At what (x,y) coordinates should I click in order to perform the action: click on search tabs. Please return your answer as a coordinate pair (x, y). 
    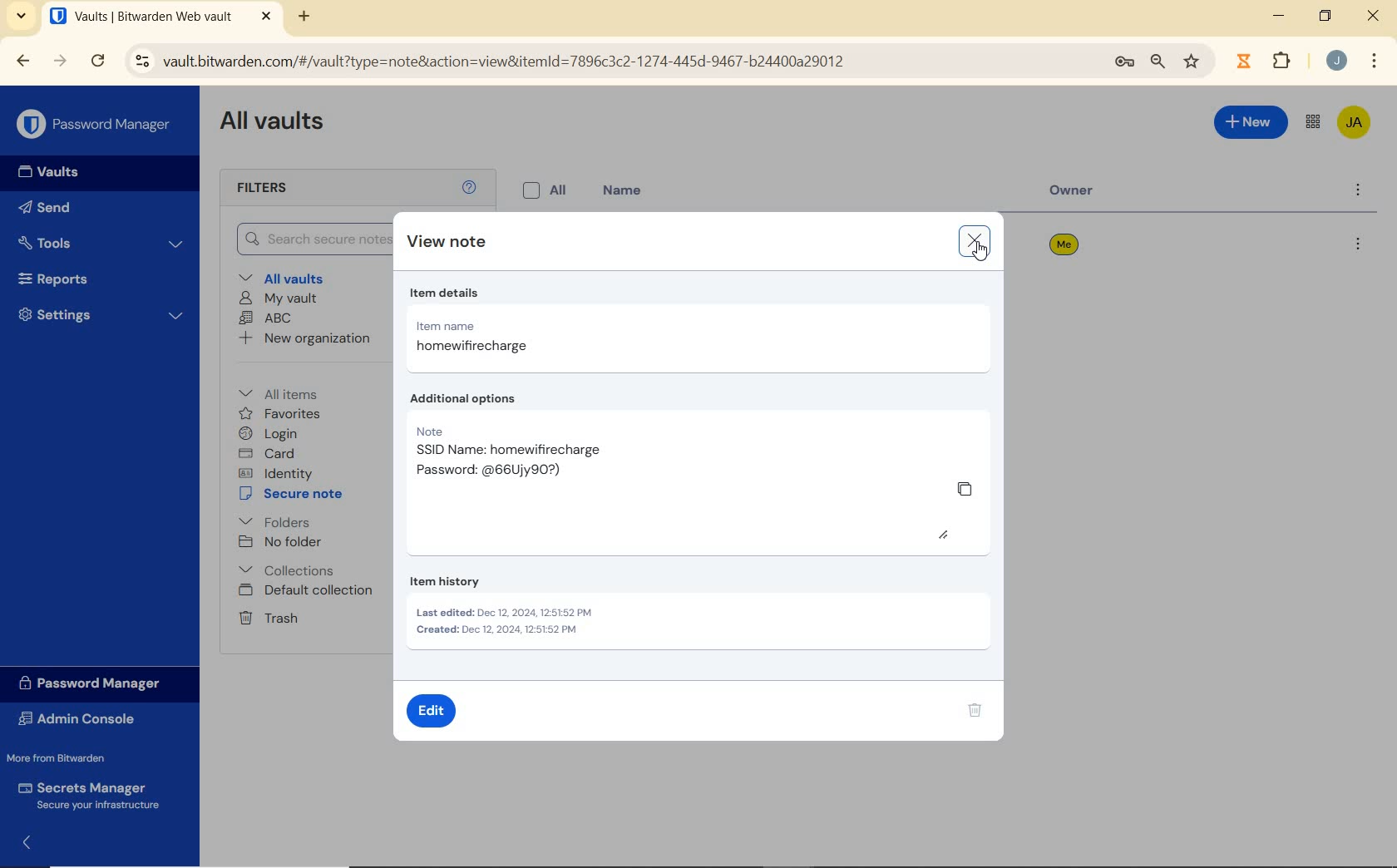
    Looking at the image, I should click on (23, 18).